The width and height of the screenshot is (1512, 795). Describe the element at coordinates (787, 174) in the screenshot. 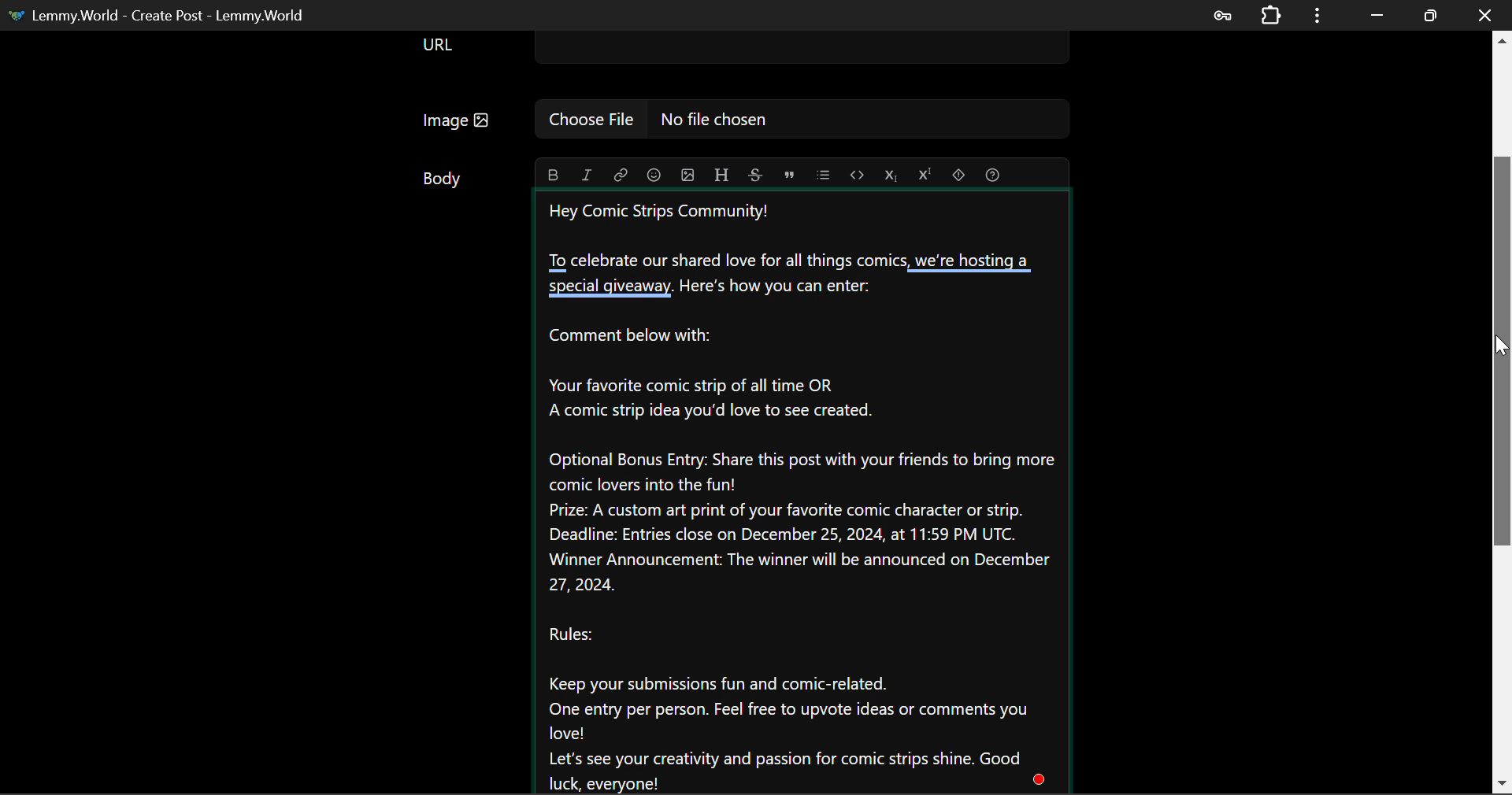

I see `quote` at that location.